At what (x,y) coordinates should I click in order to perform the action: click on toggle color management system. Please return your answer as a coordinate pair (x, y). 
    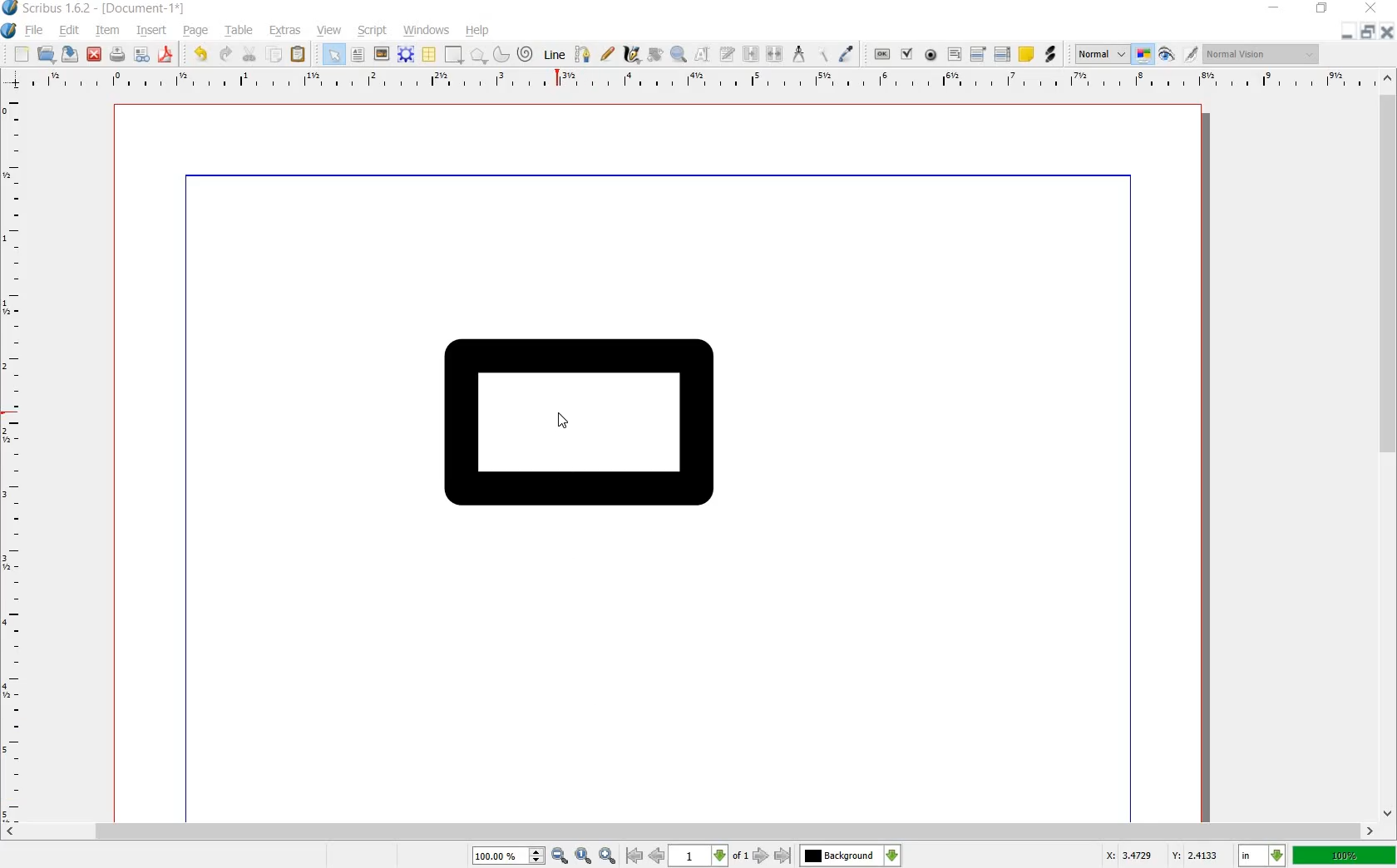
    Looking at the image, I should click on (1143, 55).